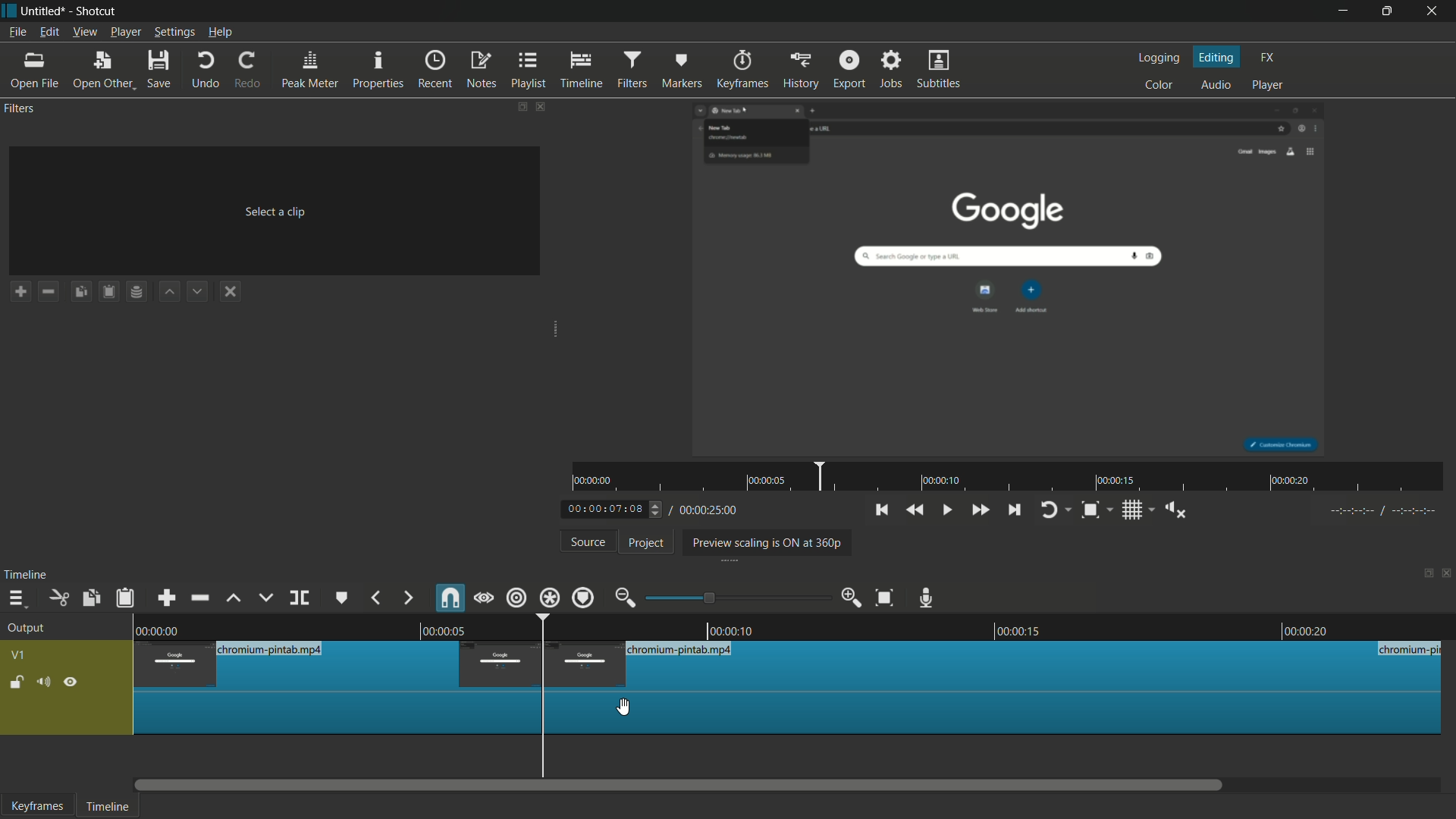 The image size is (1456, 819). Describe the element at coordinates (18, 108) in the screenshot. I see `filters` at that location.